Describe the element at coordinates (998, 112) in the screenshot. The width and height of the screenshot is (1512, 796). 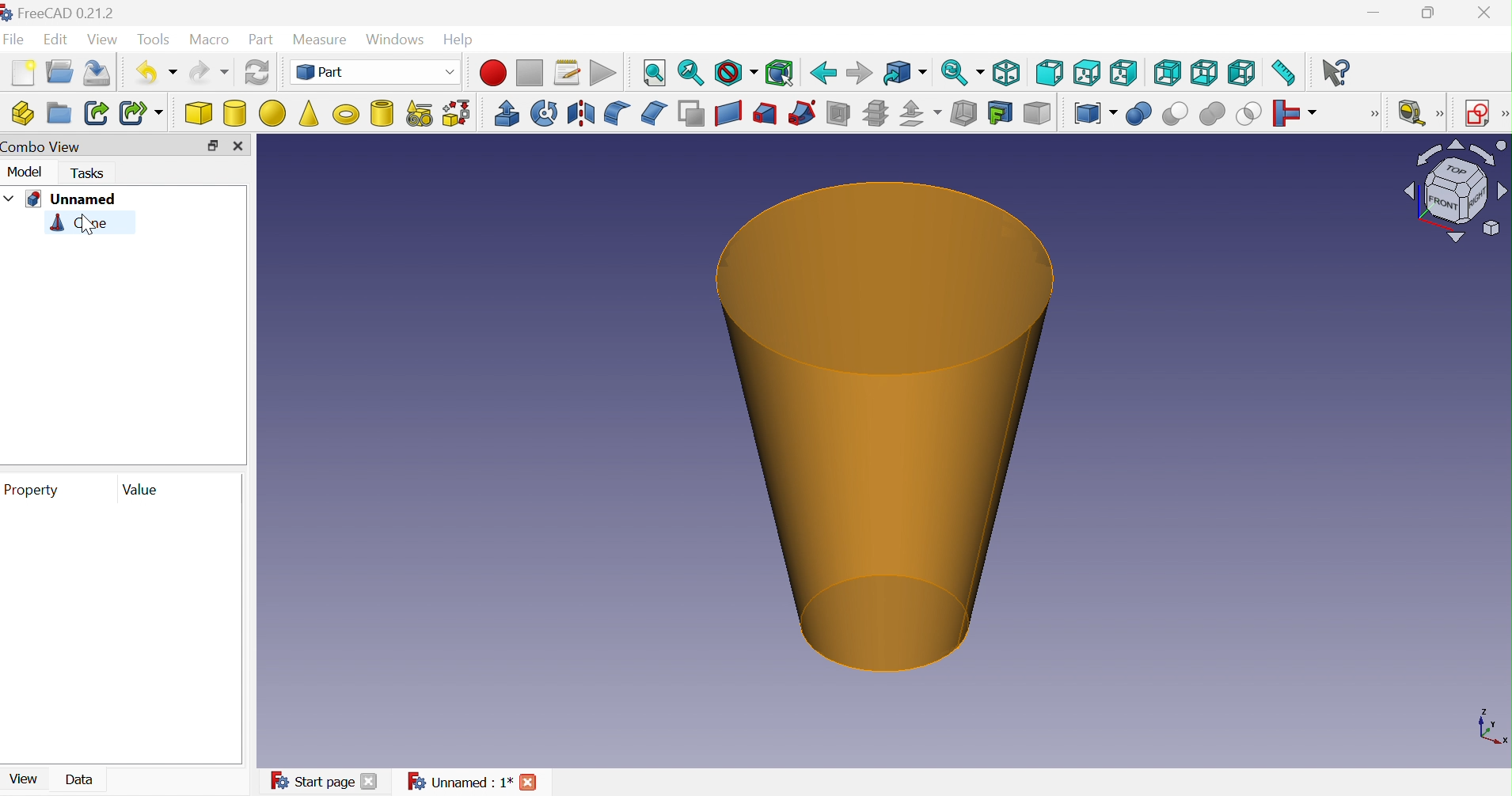
I see `Create projection on surface` at that location.